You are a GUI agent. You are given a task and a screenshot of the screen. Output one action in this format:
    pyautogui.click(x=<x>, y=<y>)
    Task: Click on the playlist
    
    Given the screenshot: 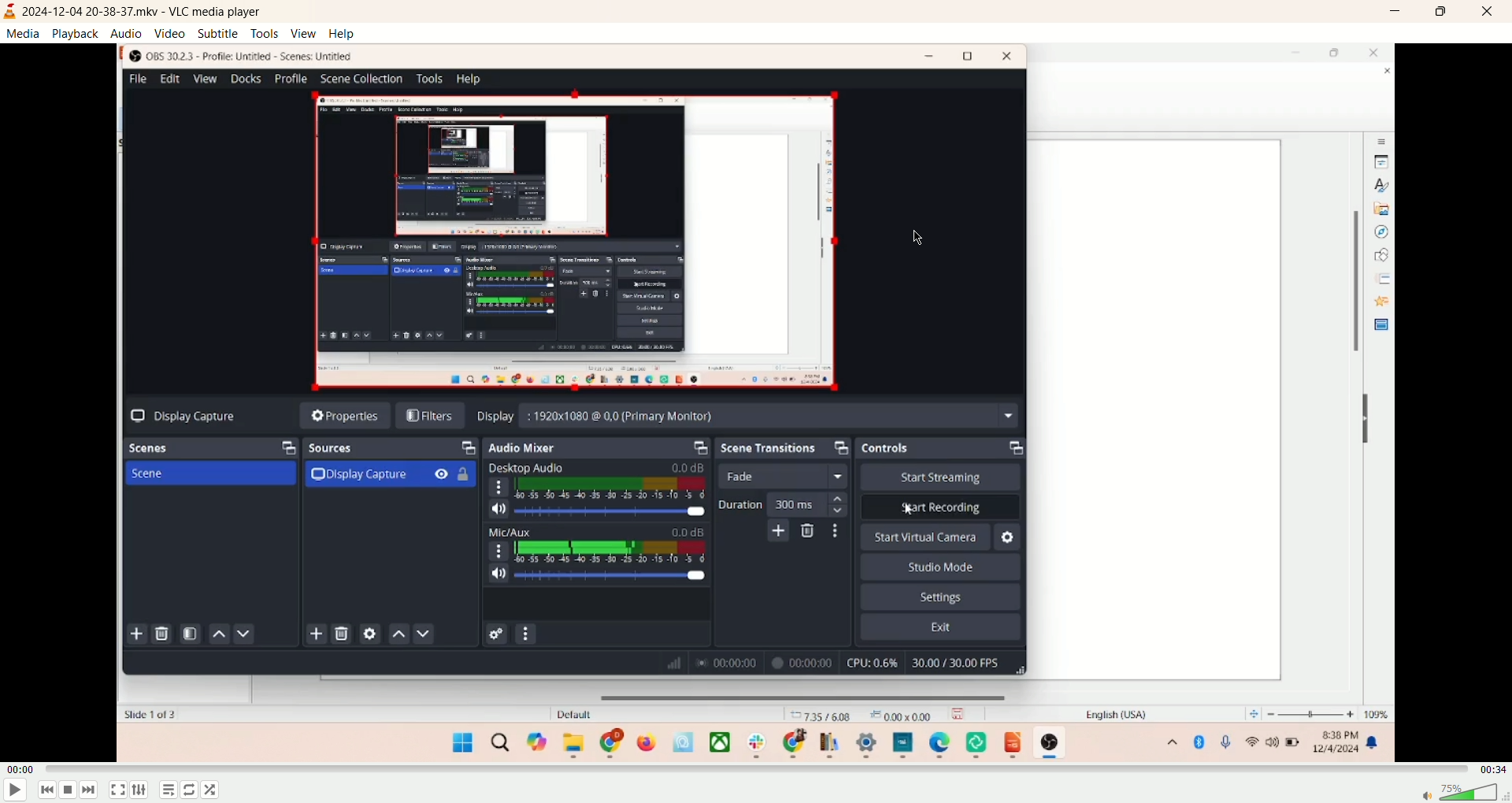 What is the action you would take?
    pyautogui.click(x=169, y=791)
    